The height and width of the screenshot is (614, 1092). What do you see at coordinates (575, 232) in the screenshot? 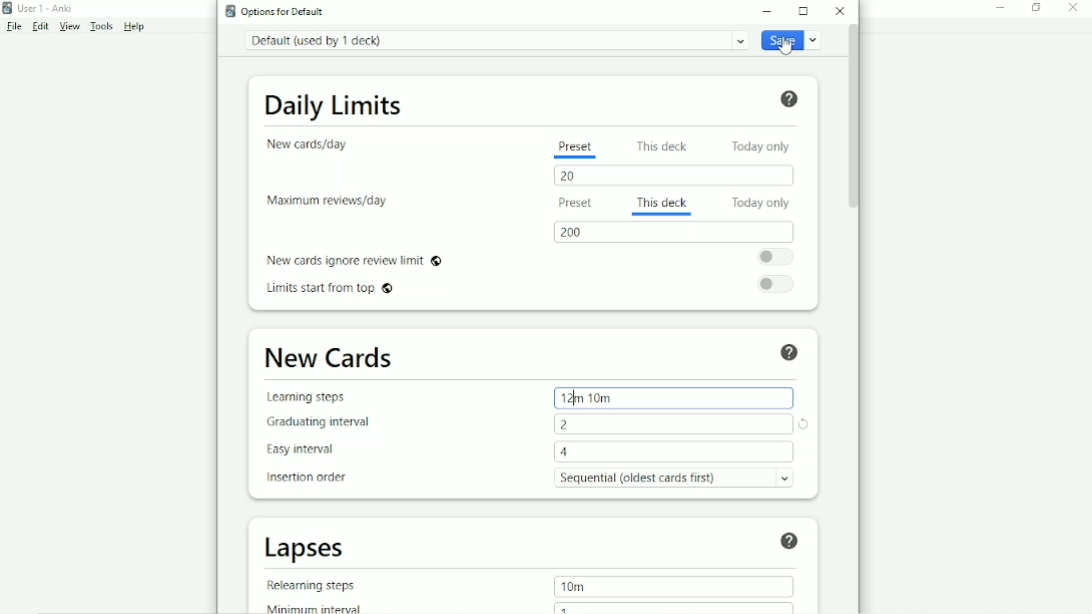
I see `200` at bounding box center [575, 232].